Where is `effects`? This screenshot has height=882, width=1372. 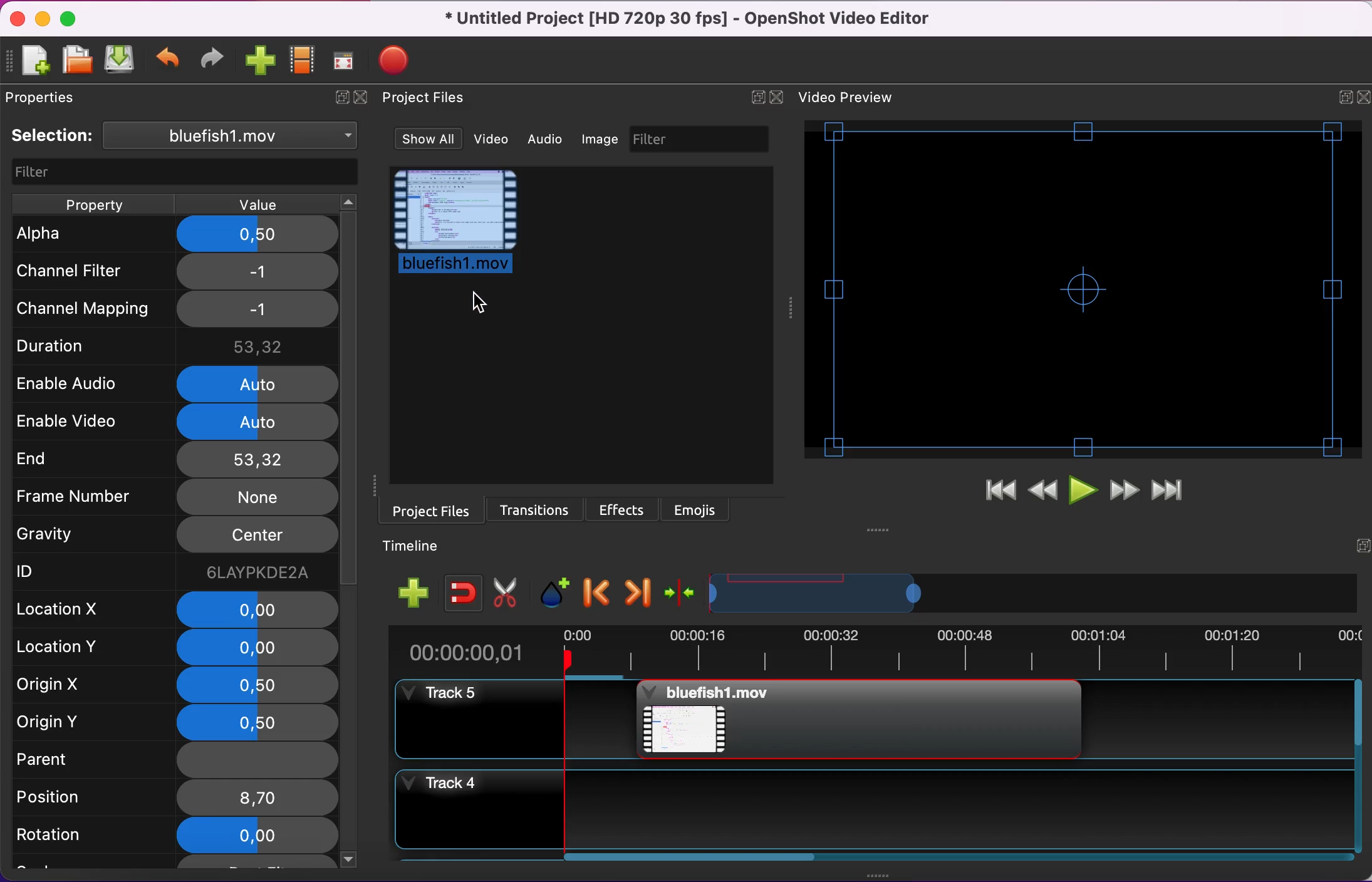 effects is located at coordinates (624, 509).